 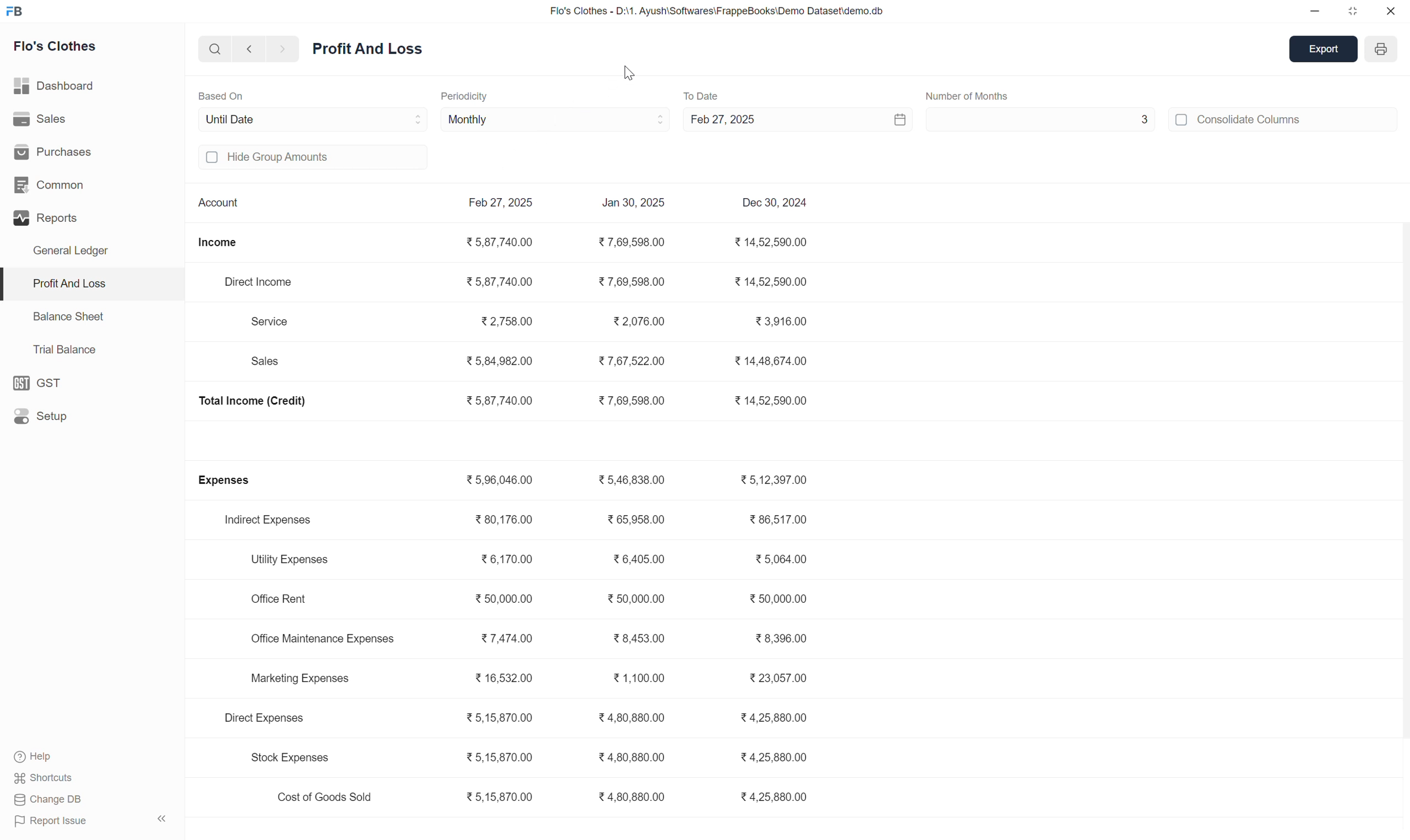 What do you see at coordinates (225, 97) in the screenshot?
I see `Based On` at bounding box center [225, 97].